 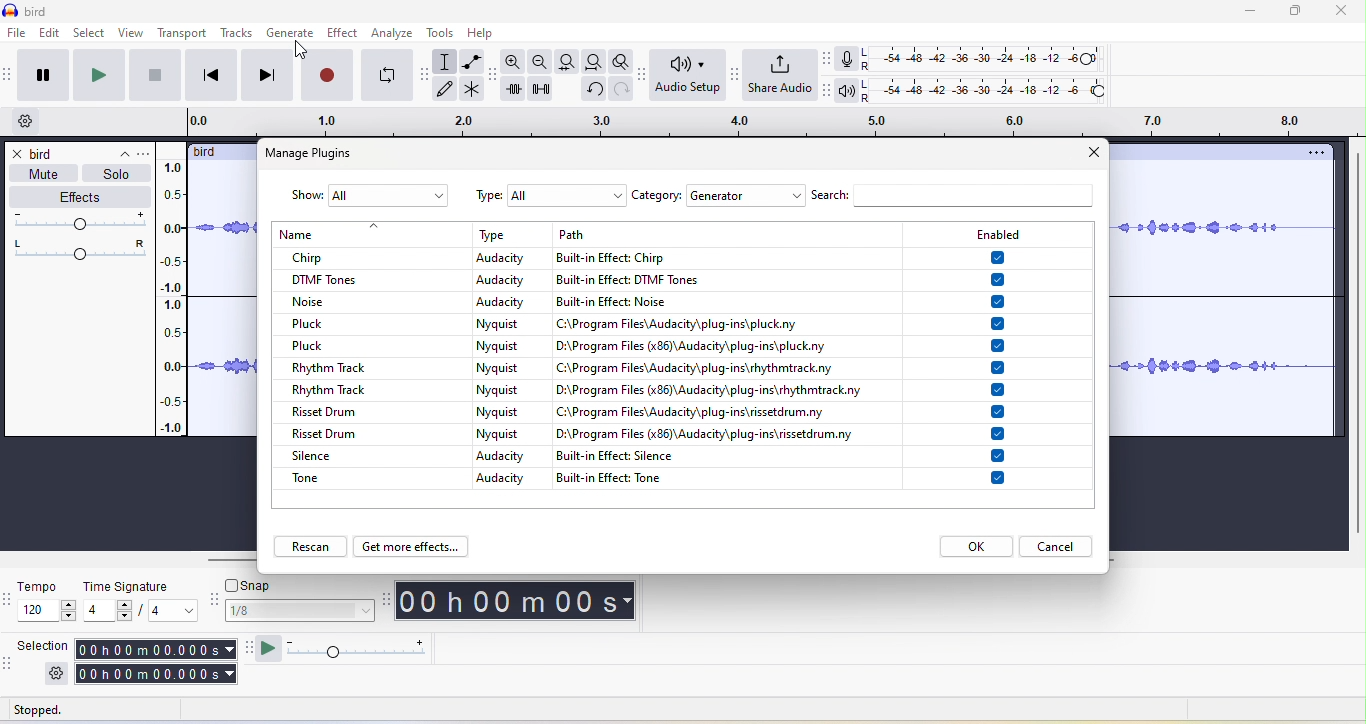 What do you see at coordinates (254, 585) in the screenshot?
I see `snap` at bounding box center [254, 585].